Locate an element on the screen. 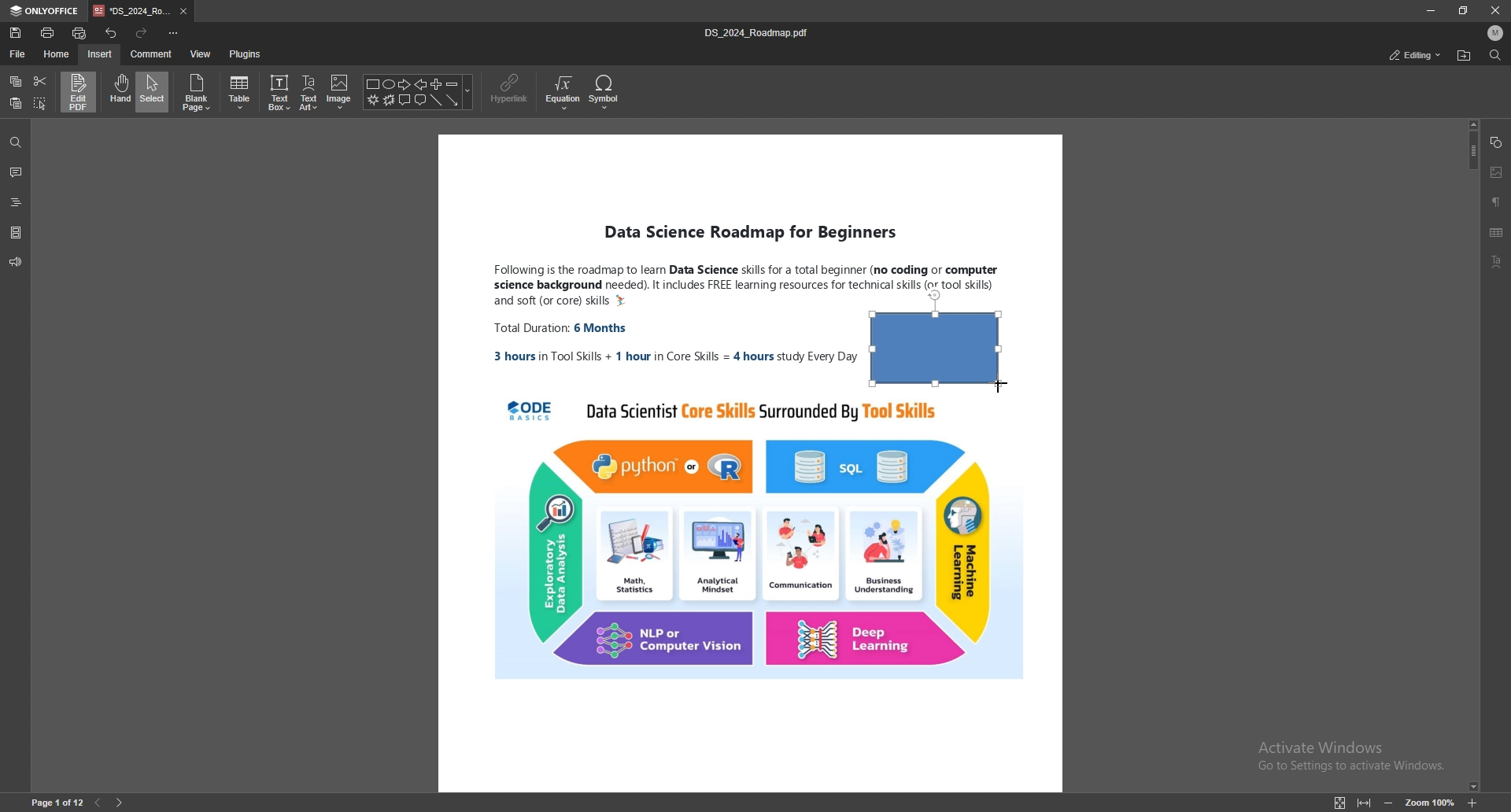 The image size is (1511, 812). scroll bar is located at coordinates (1471, 455).